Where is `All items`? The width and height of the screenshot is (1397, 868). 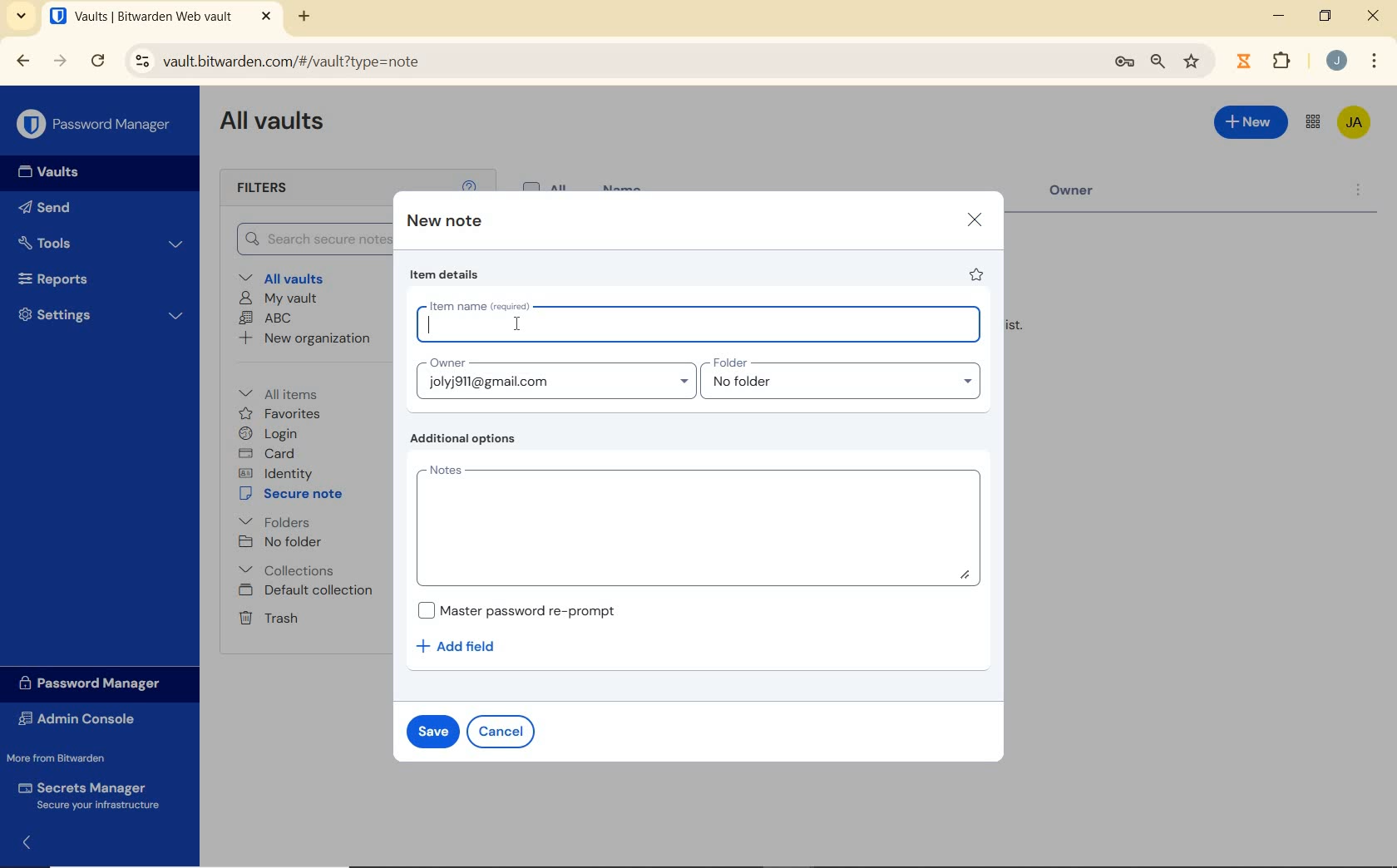
All items is located at coordinates (290, 392).